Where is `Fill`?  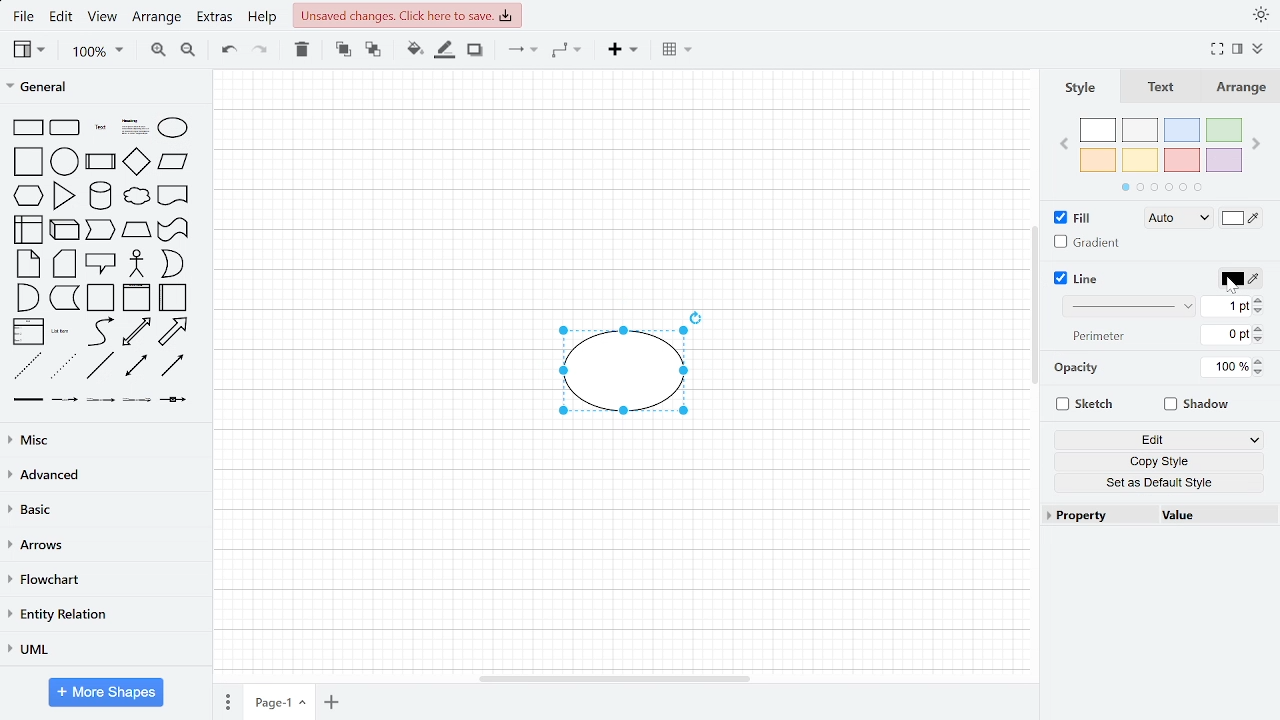 Fill is located at coordinates (1070, 218).